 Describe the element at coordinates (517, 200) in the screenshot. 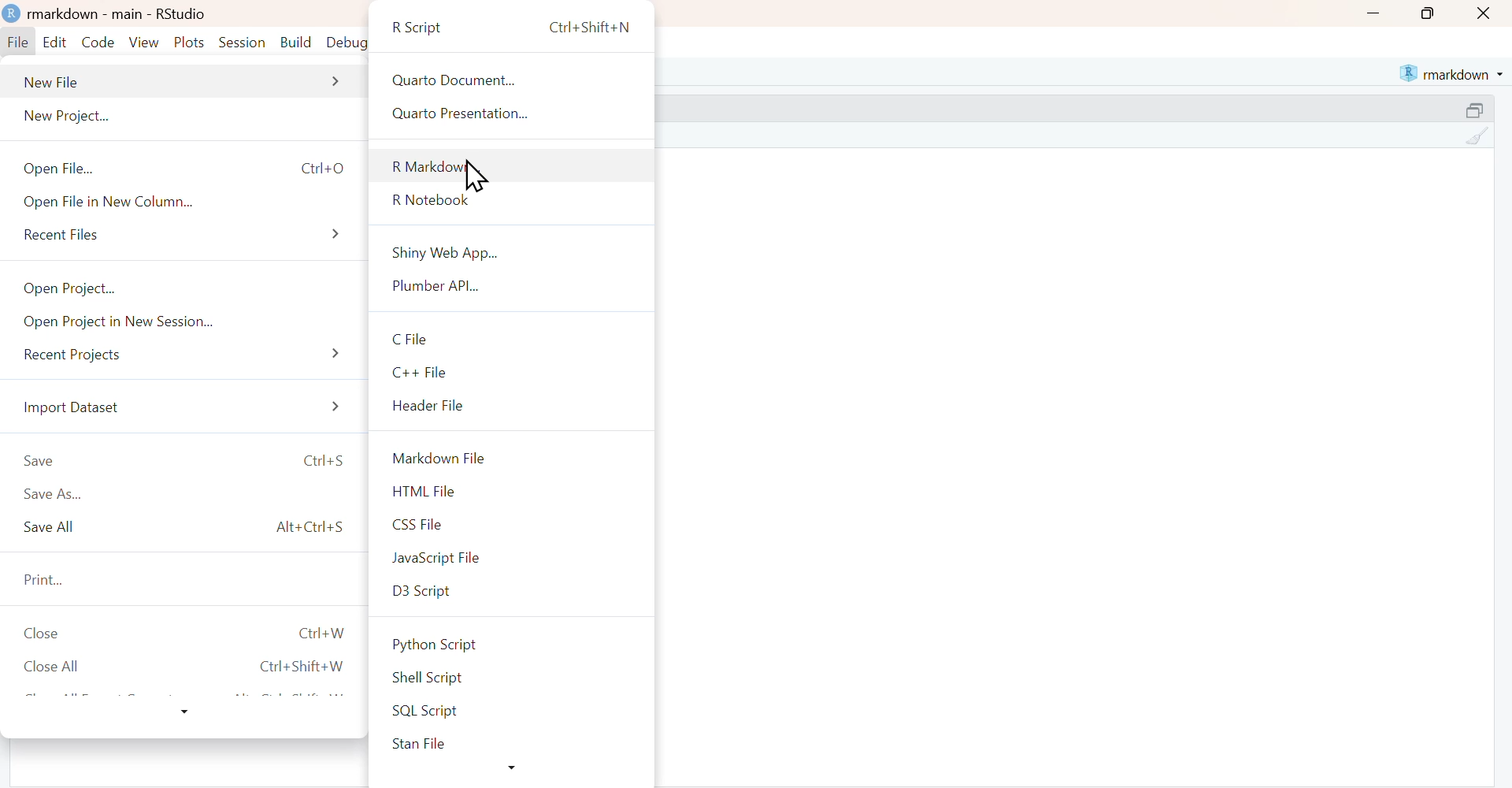

I see `R Notebook` at that location.